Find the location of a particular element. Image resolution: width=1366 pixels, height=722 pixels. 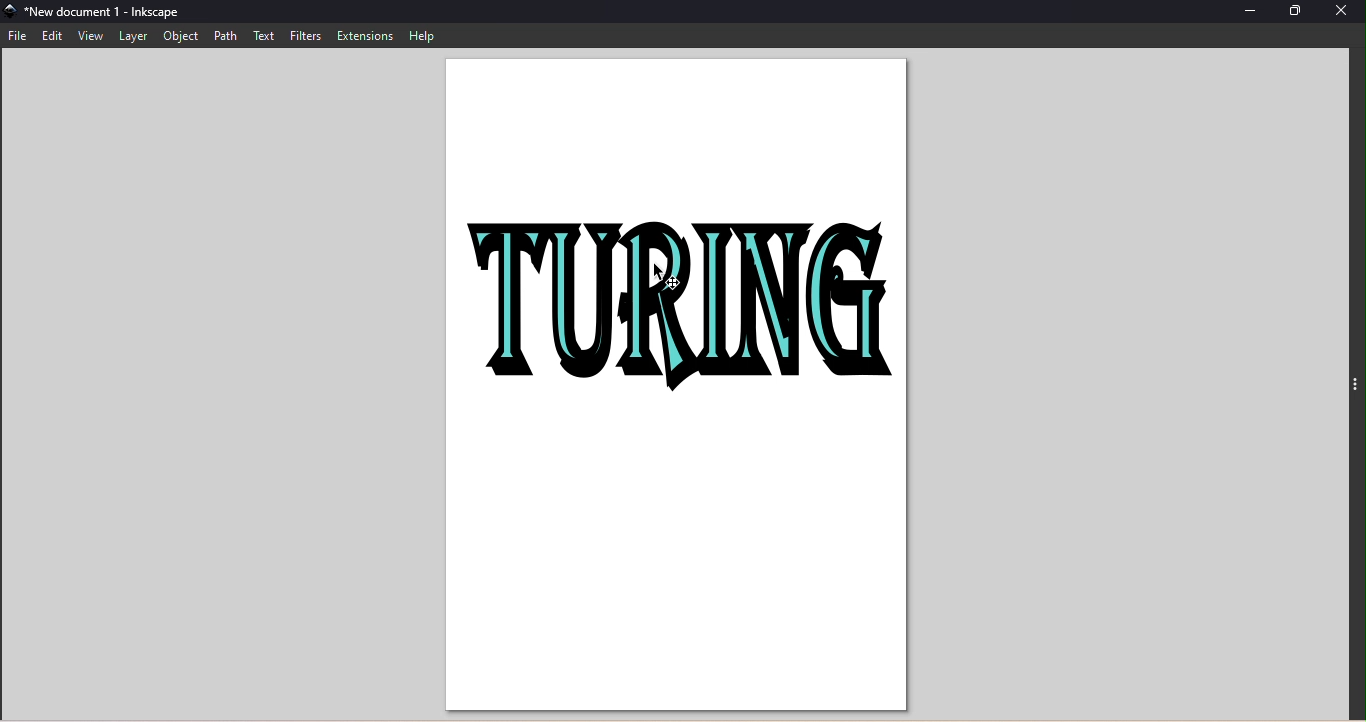

Edit is located at coordinates (52, 38).